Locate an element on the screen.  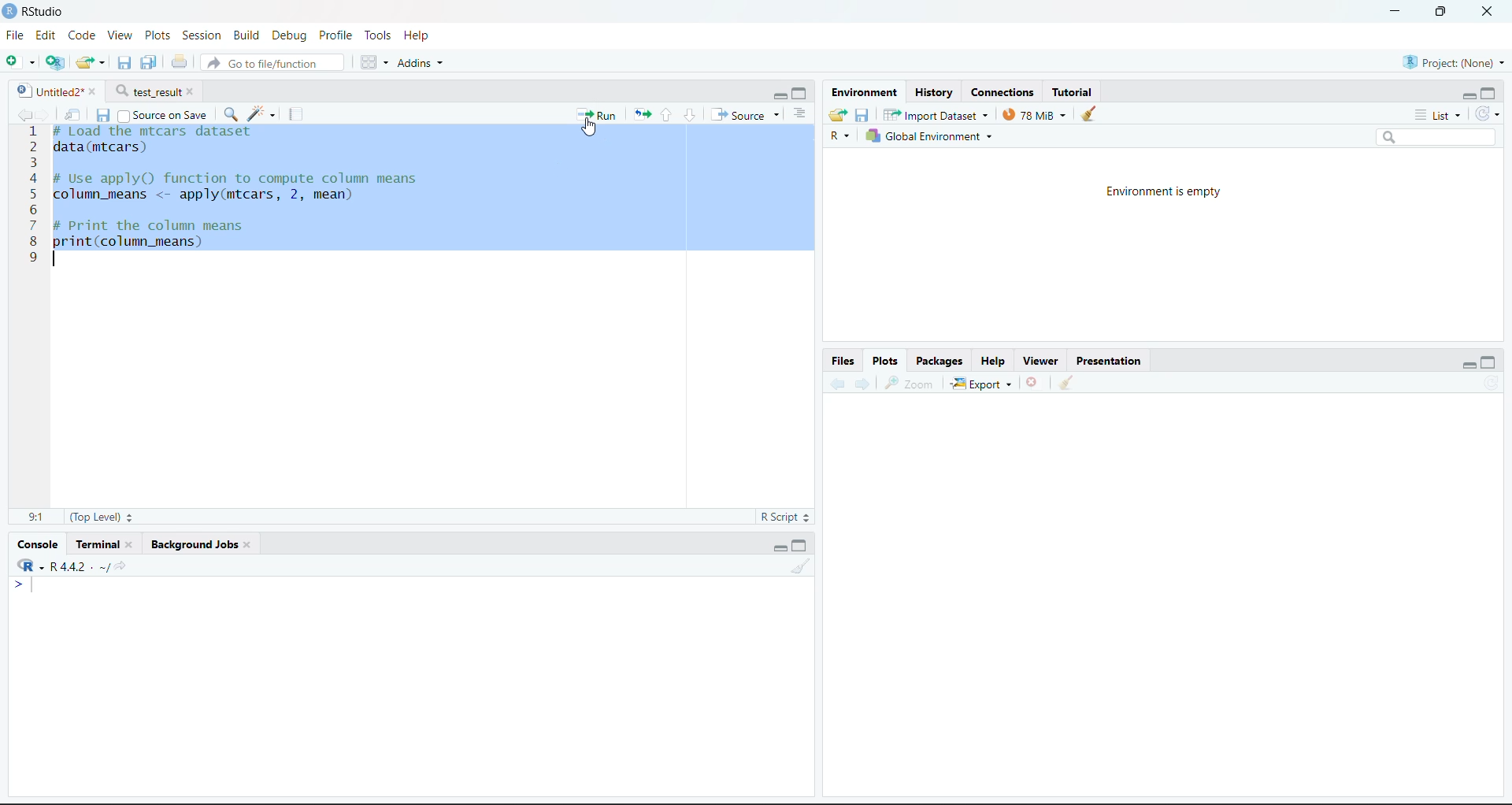
Close is located at coordinates (1033, 379).